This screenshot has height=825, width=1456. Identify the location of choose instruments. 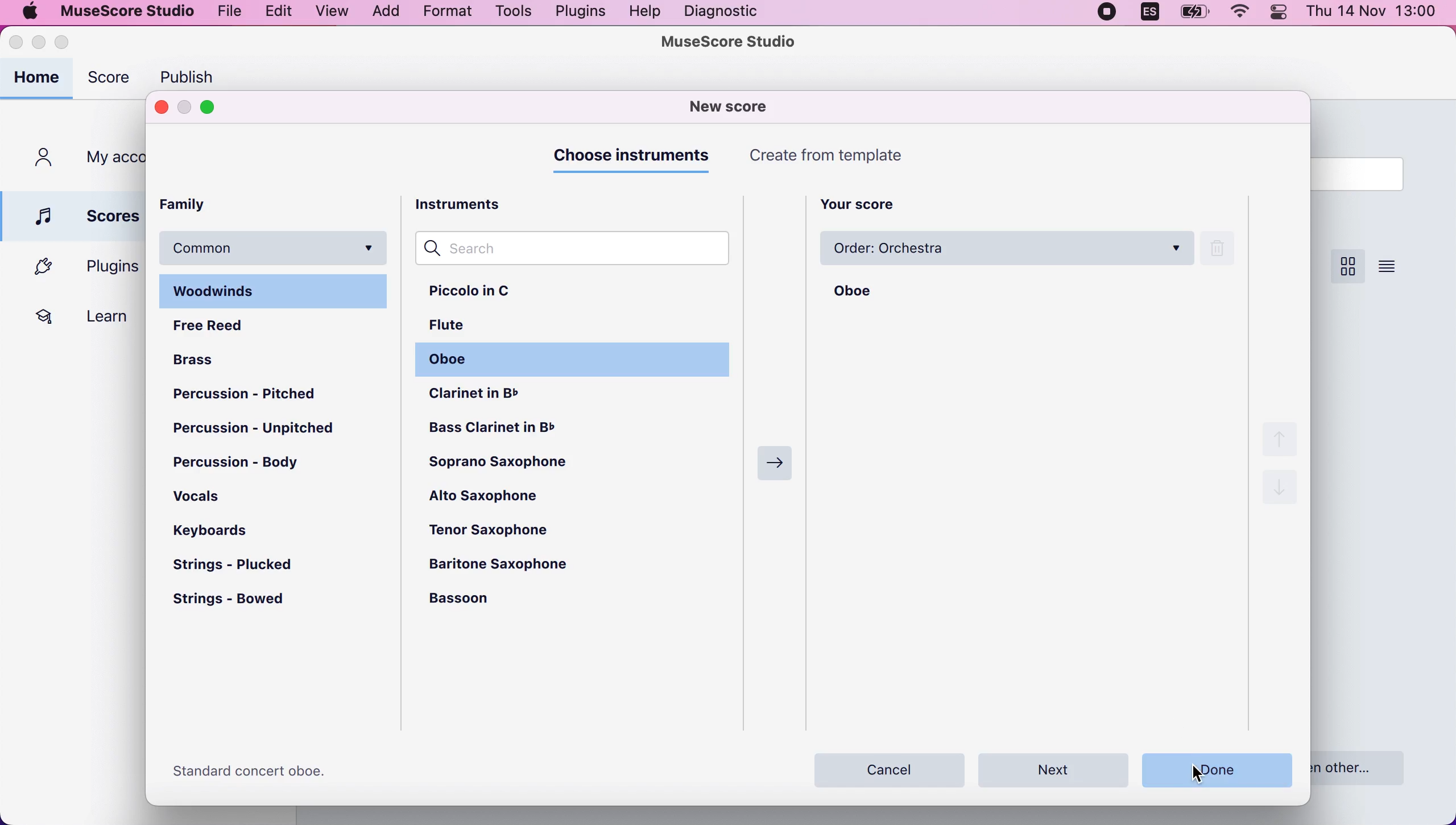
(635, 160).